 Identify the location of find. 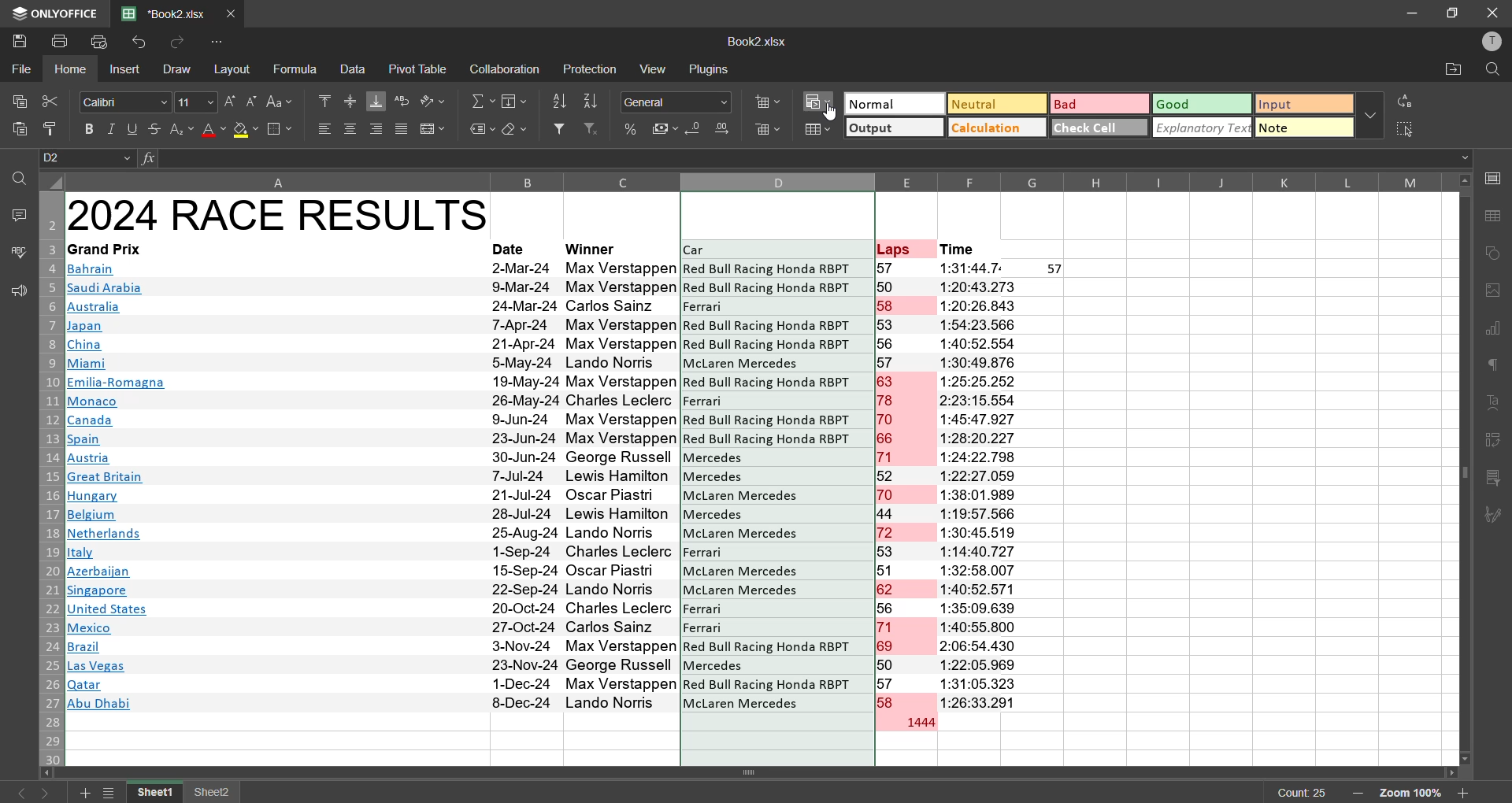
(19, 178).